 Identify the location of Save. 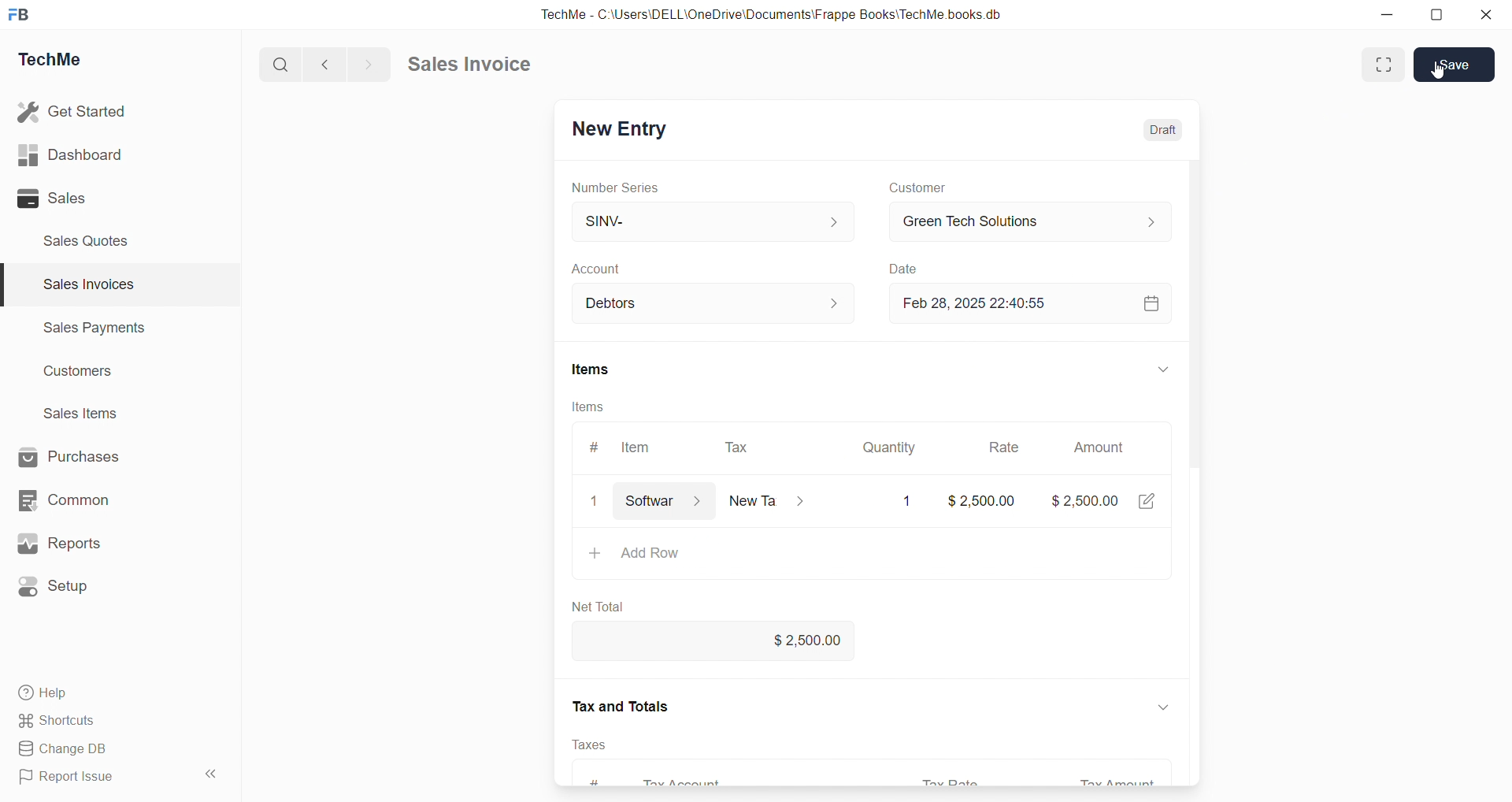
(1455, 64).